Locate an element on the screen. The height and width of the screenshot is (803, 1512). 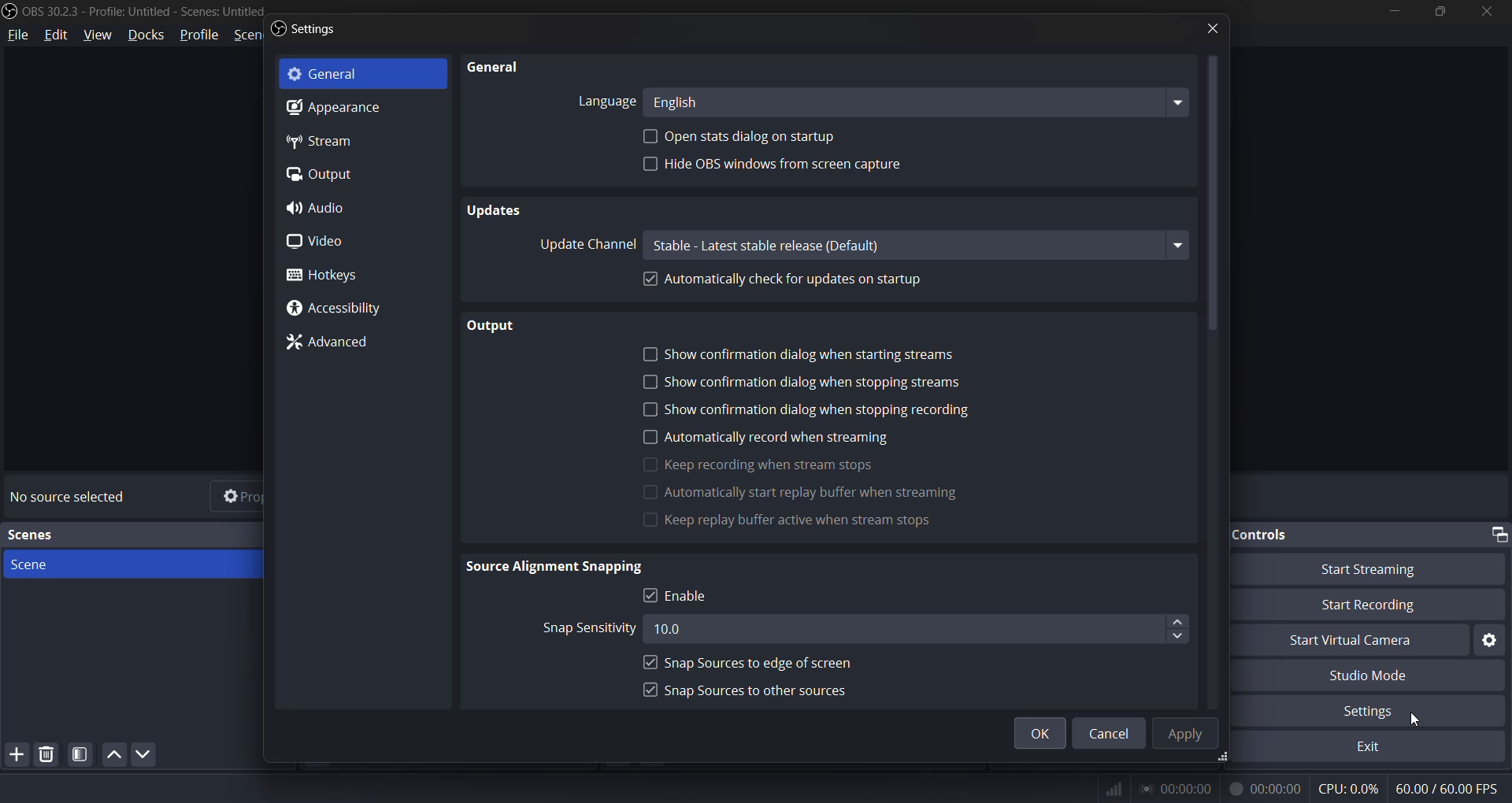
enable is located at coordinates (691, 597).